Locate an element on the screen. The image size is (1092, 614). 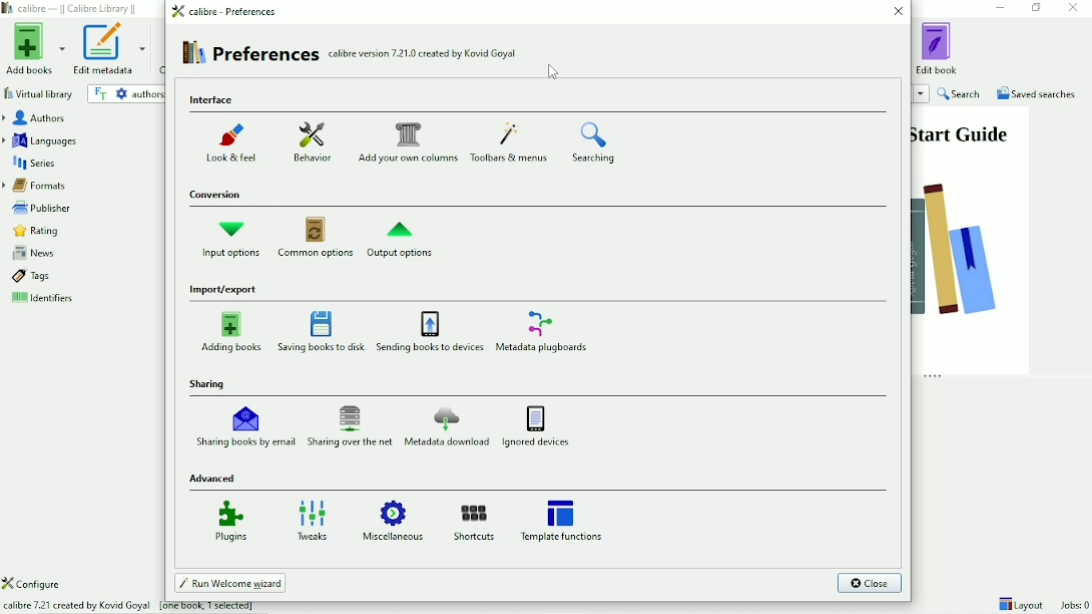
Searching is located at coordinates (594, 143).